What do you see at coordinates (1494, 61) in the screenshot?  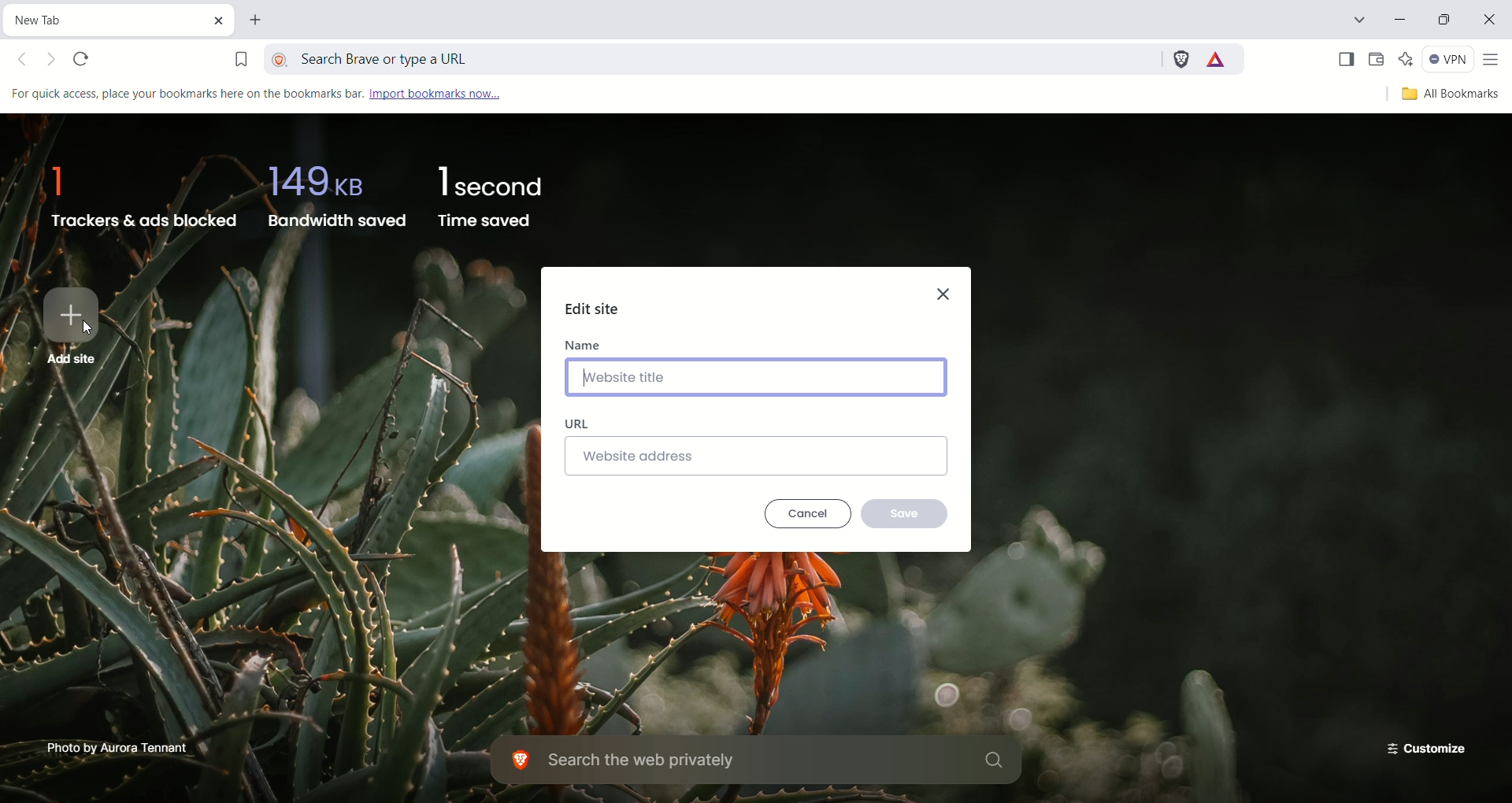 I see `customize and control brave` at bounding box center [1494, 61].